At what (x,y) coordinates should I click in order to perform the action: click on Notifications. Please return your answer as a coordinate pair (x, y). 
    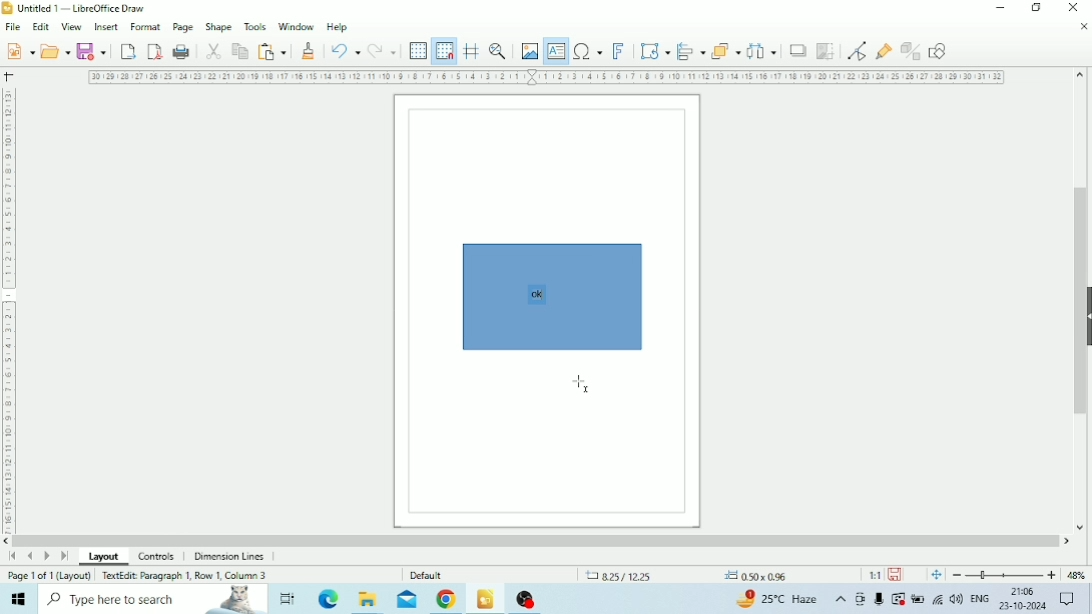
    Looking at the image, I should click on (1068, 600).